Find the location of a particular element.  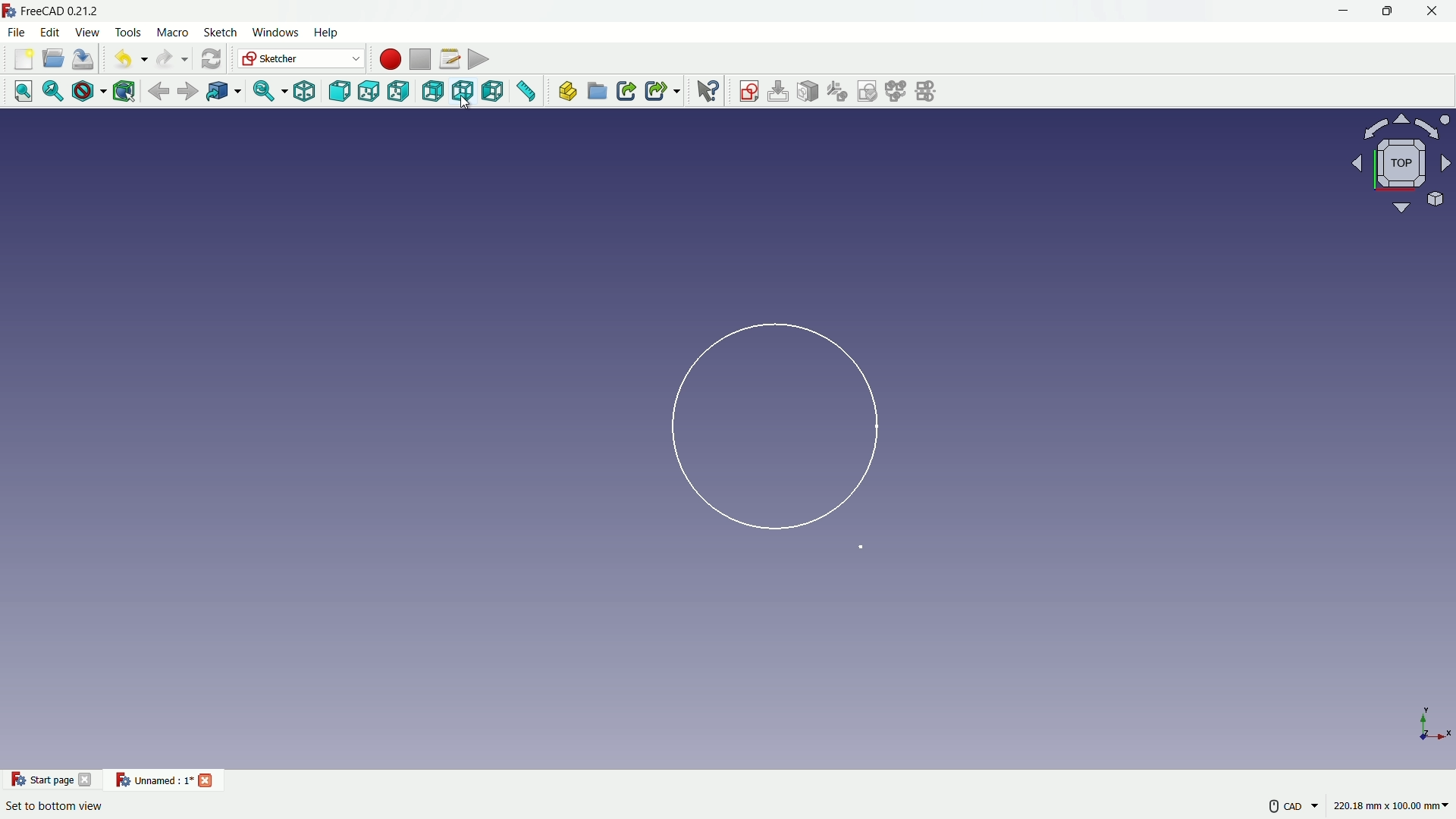

back is located at coordinates (159, 90).